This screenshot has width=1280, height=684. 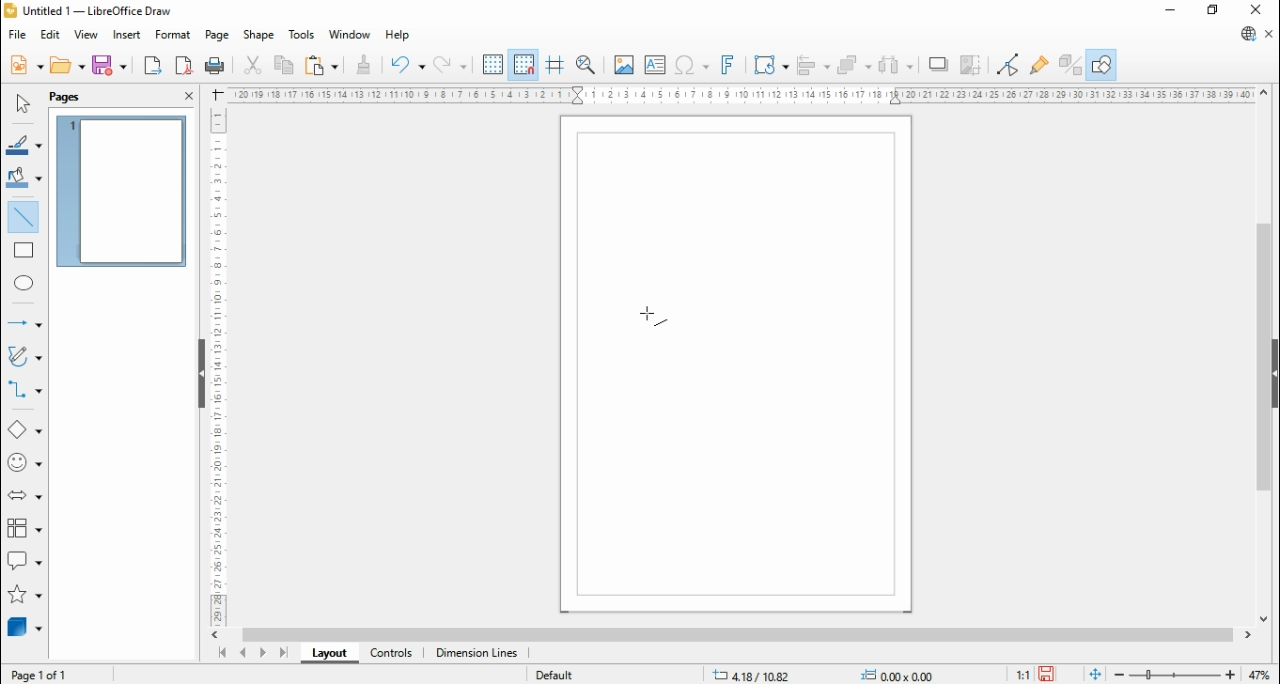 What do you see at coordinates (555, 675) in the screenshot?
I see `default` at bounding box center [555, 675].